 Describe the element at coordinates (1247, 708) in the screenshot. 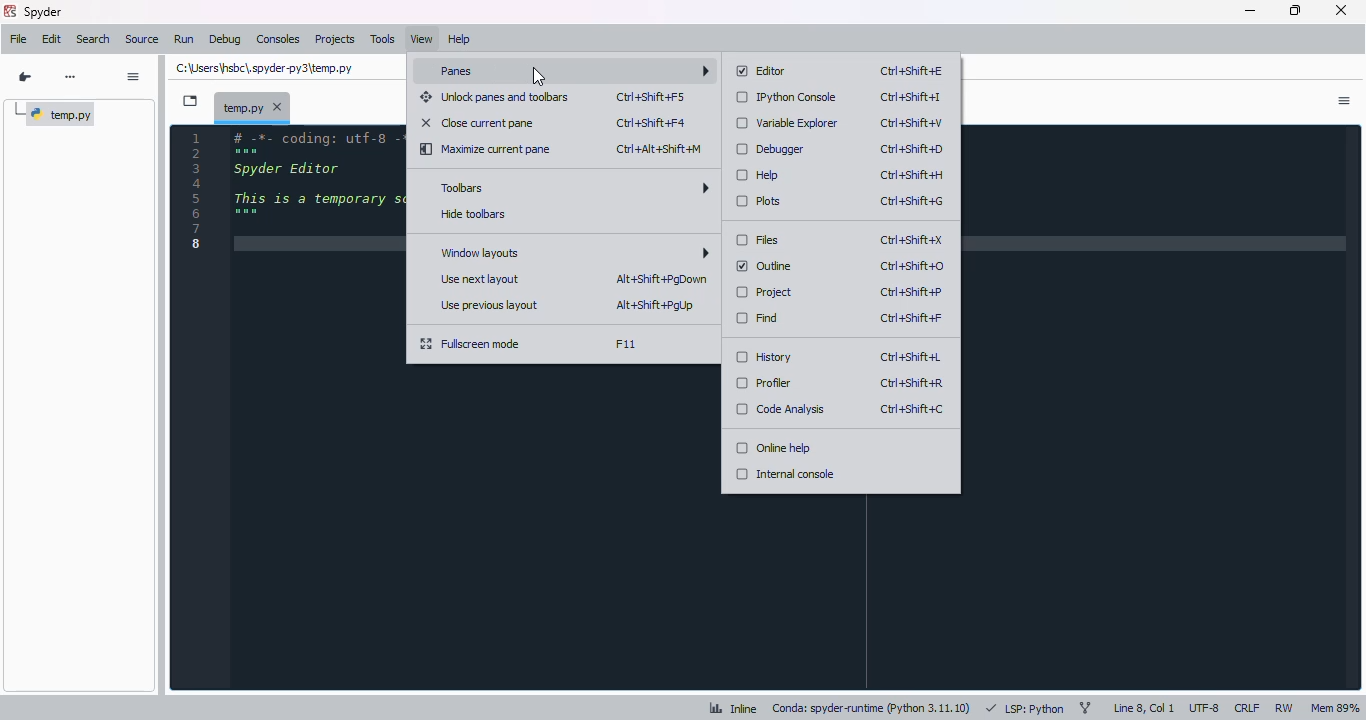

I see `CRLF` at that location.